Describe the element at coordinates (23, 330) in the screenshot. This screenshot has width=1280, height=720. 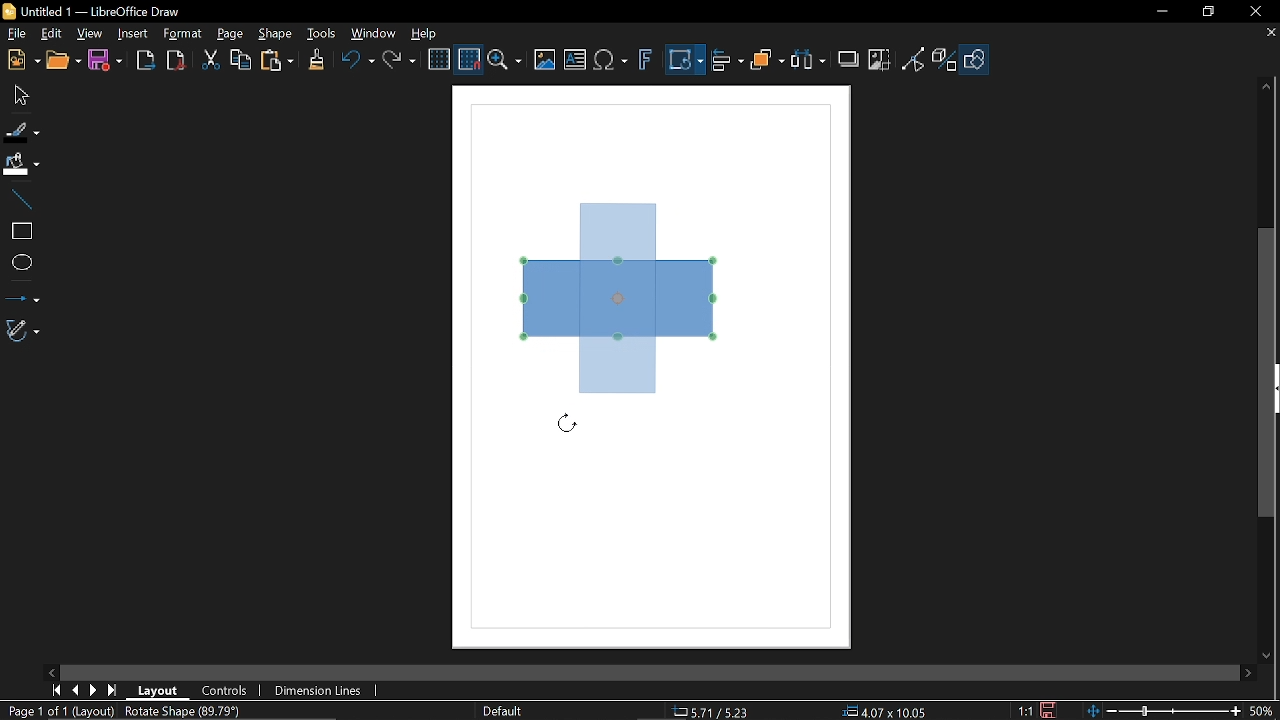
I see `Curves and polygons` at that location.